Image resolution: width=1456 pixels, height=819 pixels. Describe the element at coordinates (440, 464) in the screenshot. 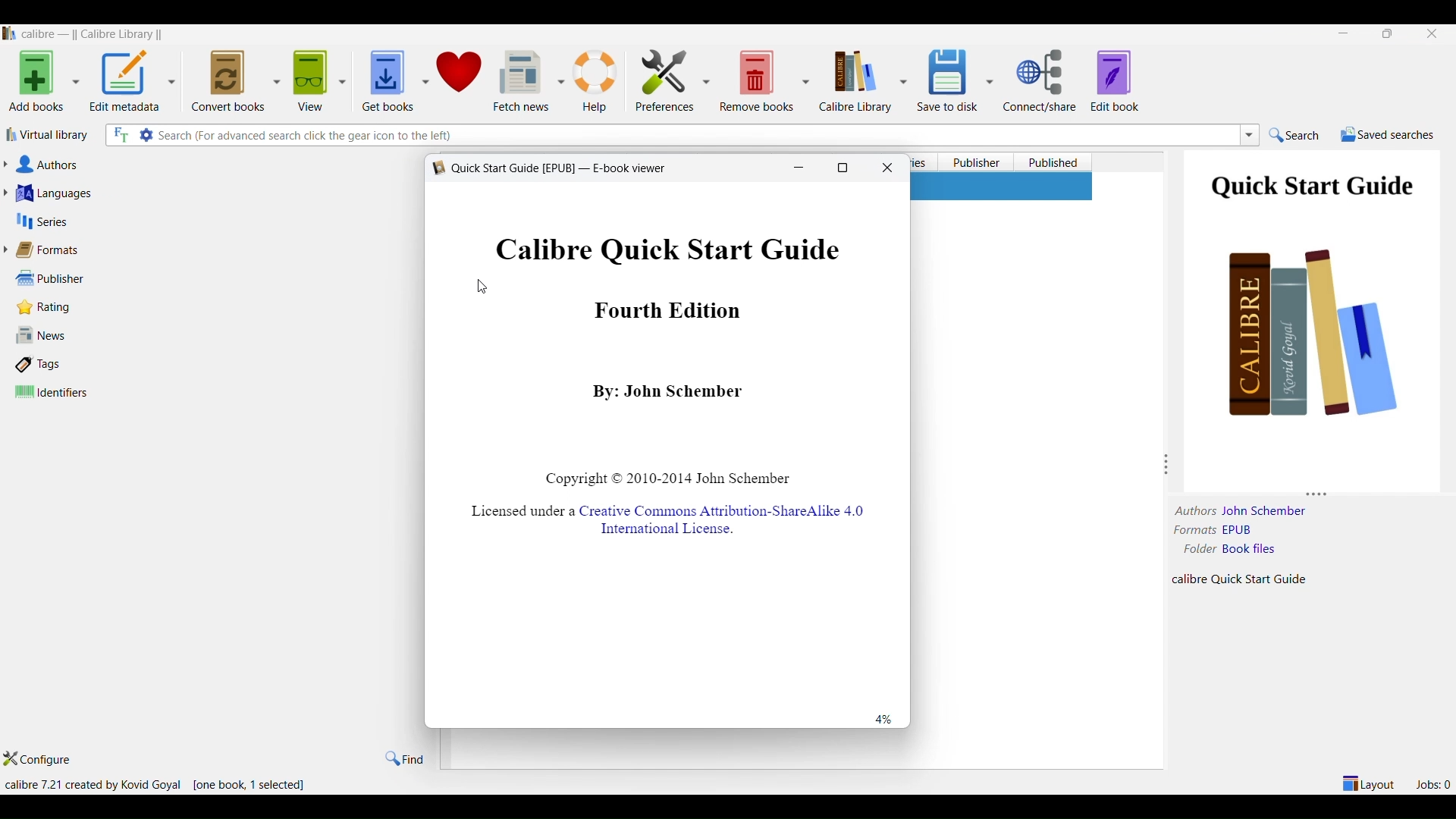

I see `resize` at that location.